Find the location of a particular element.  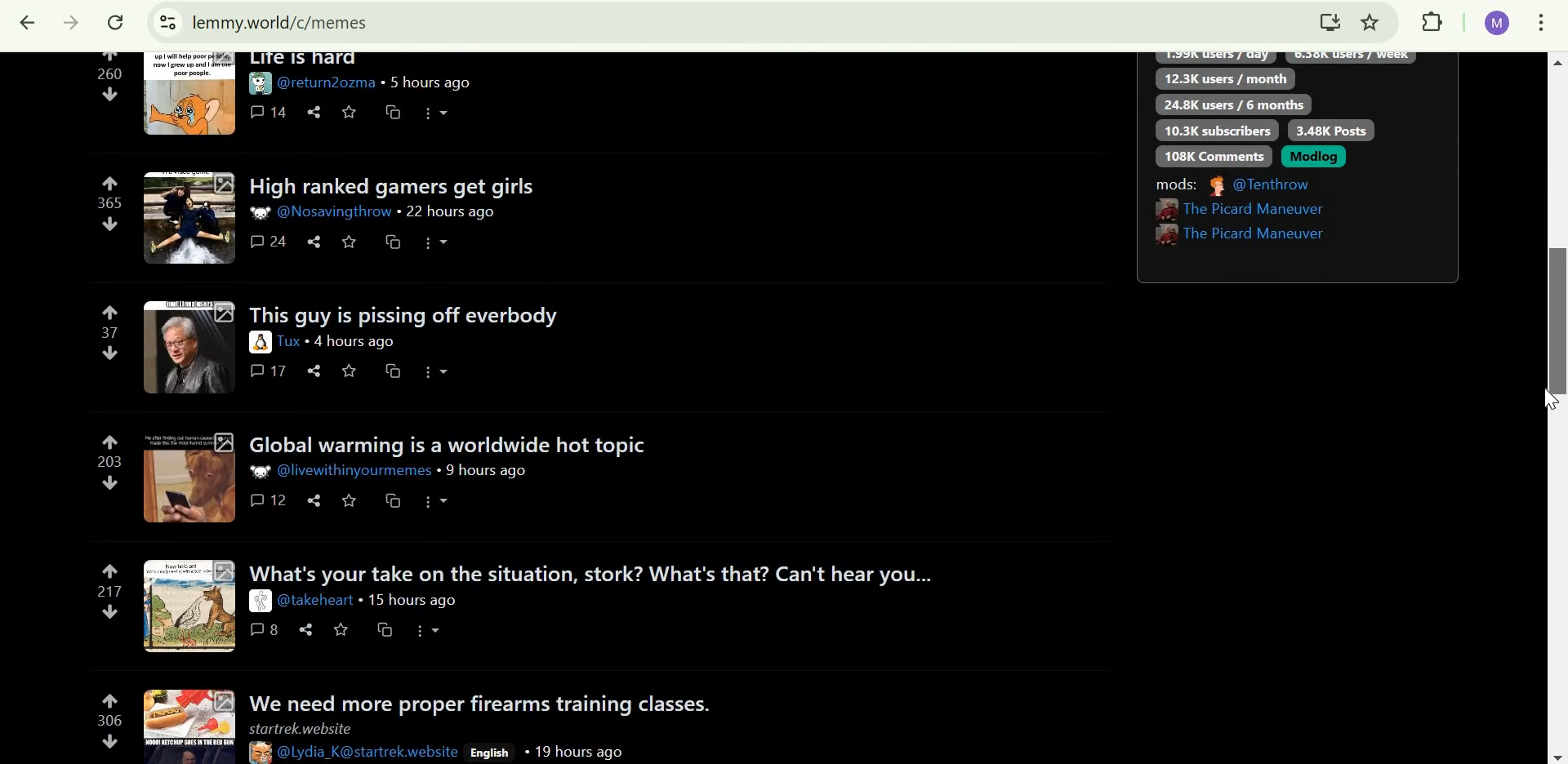

upvote is located at coordinates (110, 442).